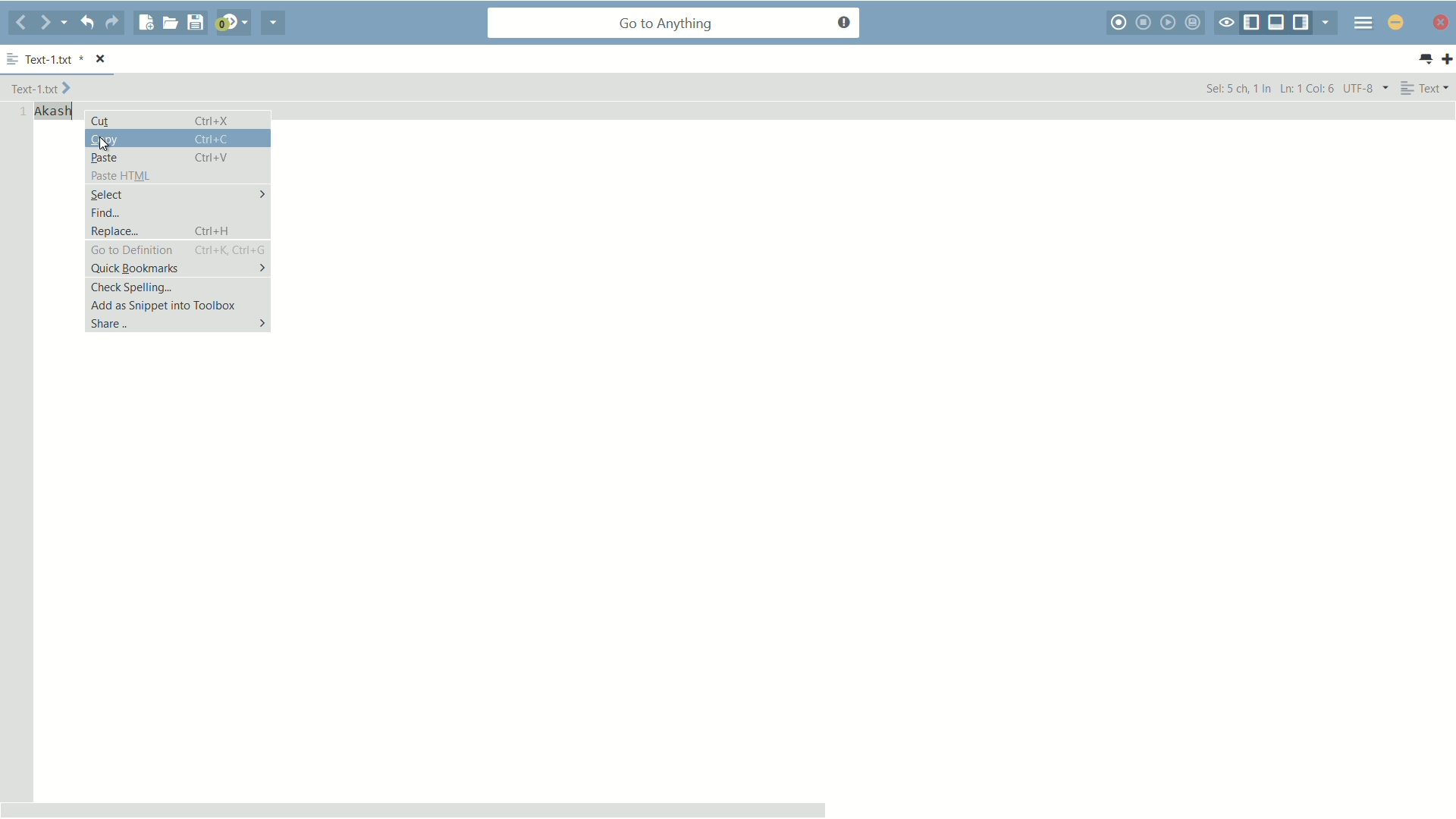  What do you see at coordinates (177, 174) in the screenshot?
I see `paste html` at bounding box center [177, 174].